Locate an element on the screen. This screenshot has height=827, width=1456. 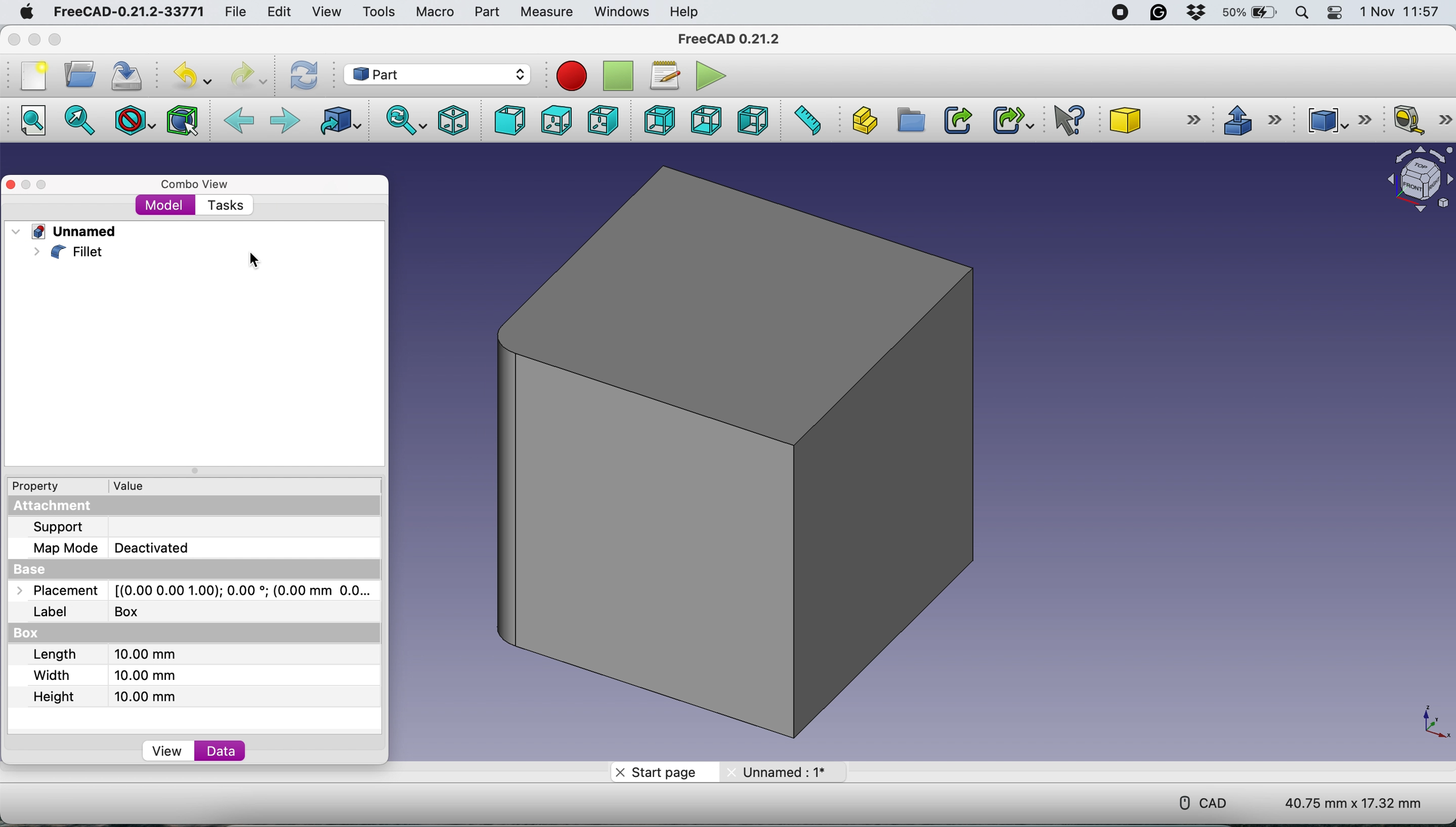
what's this is located at coordinates (1070, 118).